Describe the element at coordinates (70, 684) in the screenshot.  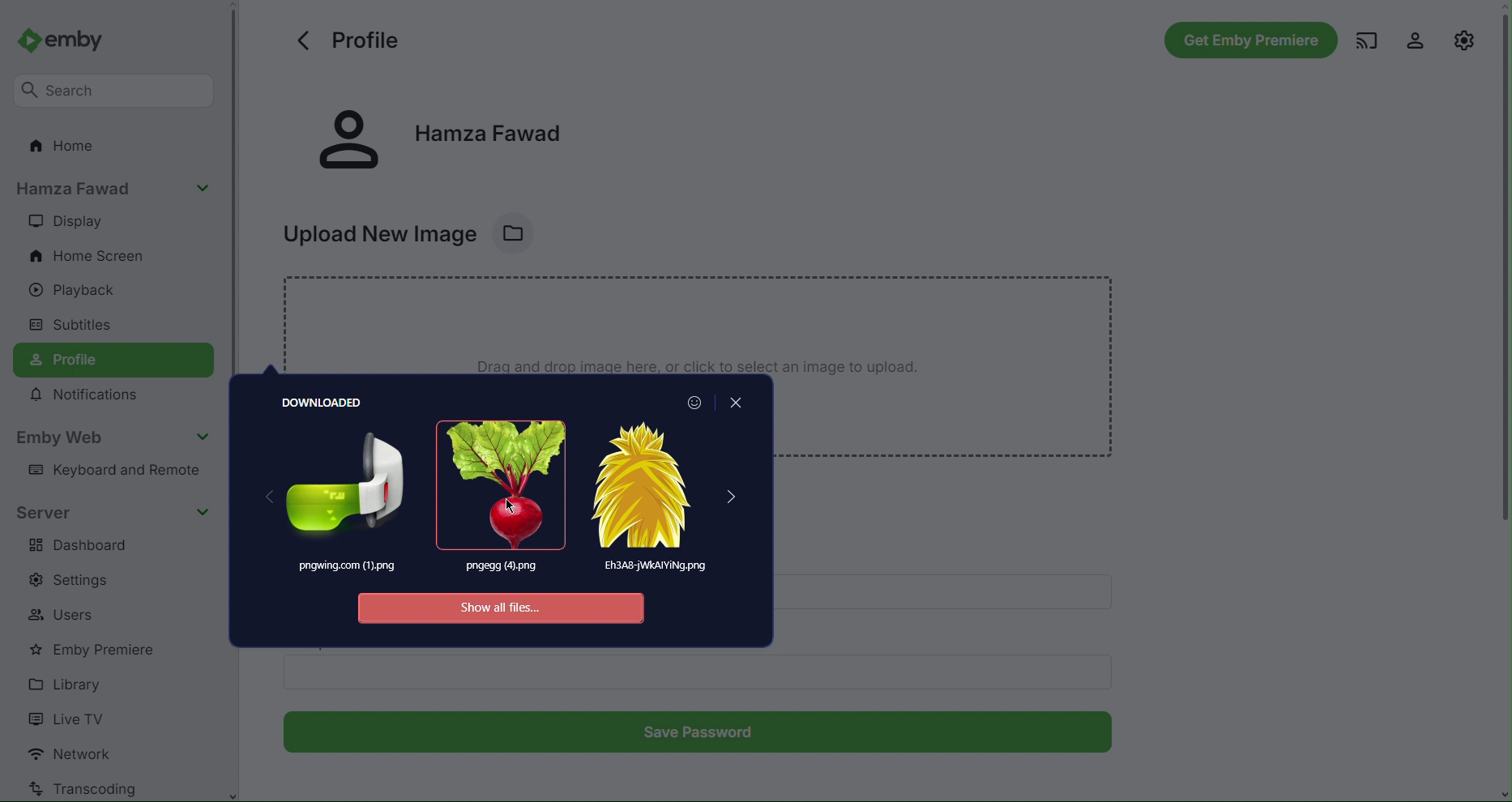
I see `Library` at that location.